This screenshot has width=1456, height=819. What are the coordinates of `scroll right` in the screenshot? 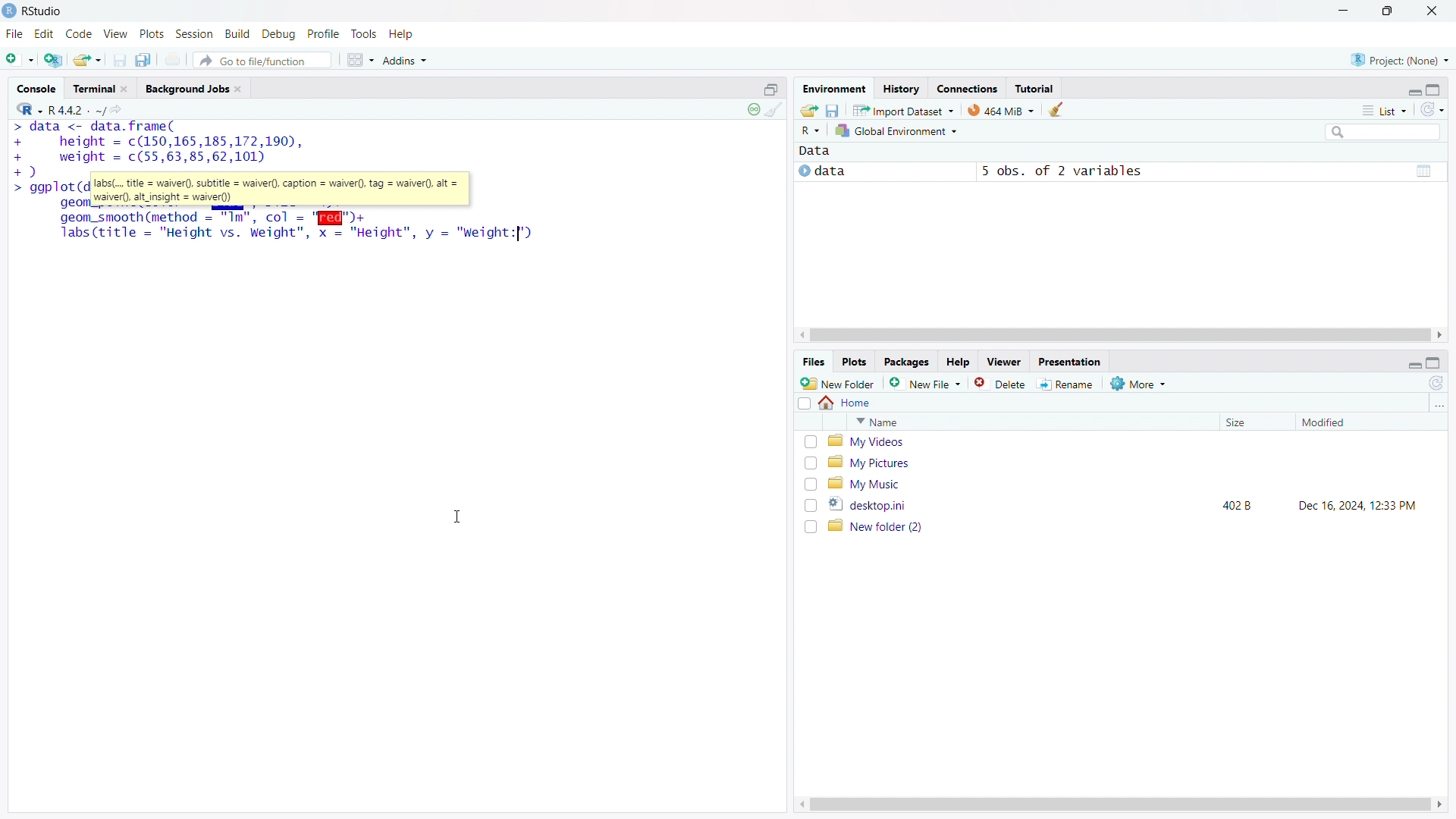 It's located at (1441, 805).